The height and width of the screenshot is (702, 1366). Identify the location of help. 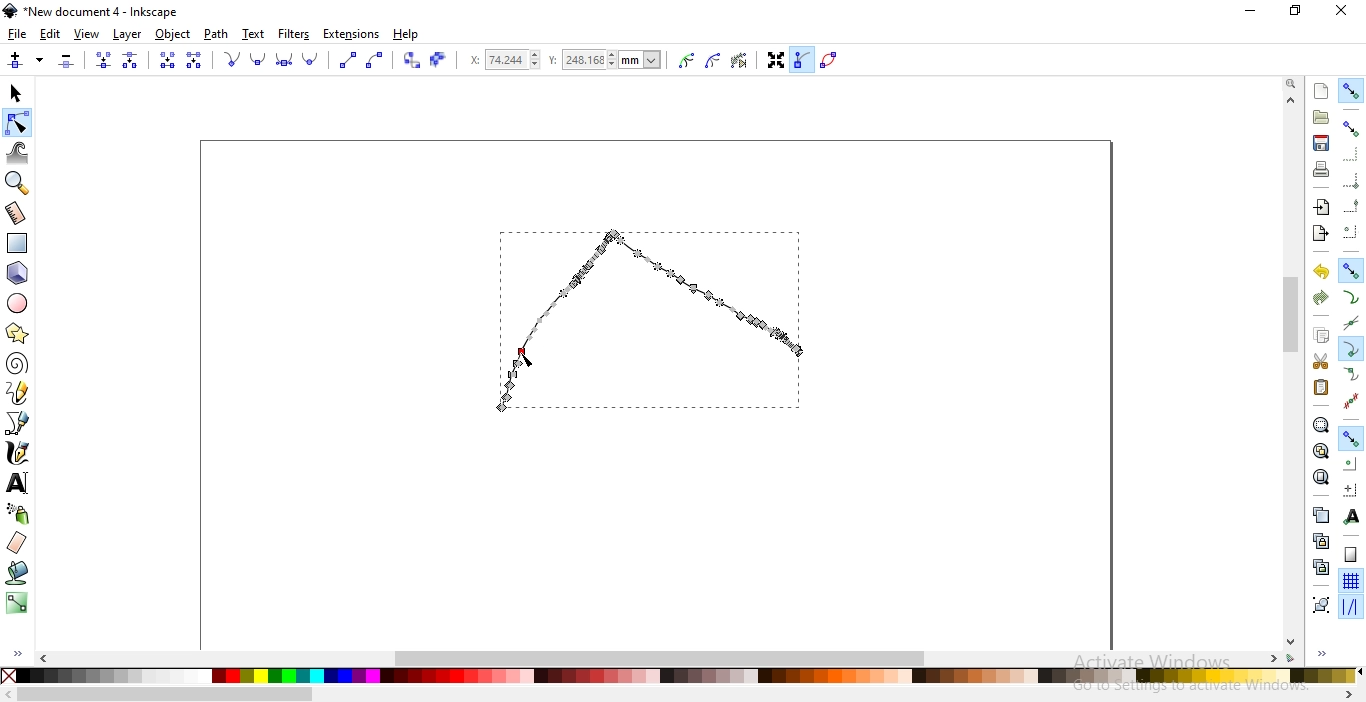
(406, 35).